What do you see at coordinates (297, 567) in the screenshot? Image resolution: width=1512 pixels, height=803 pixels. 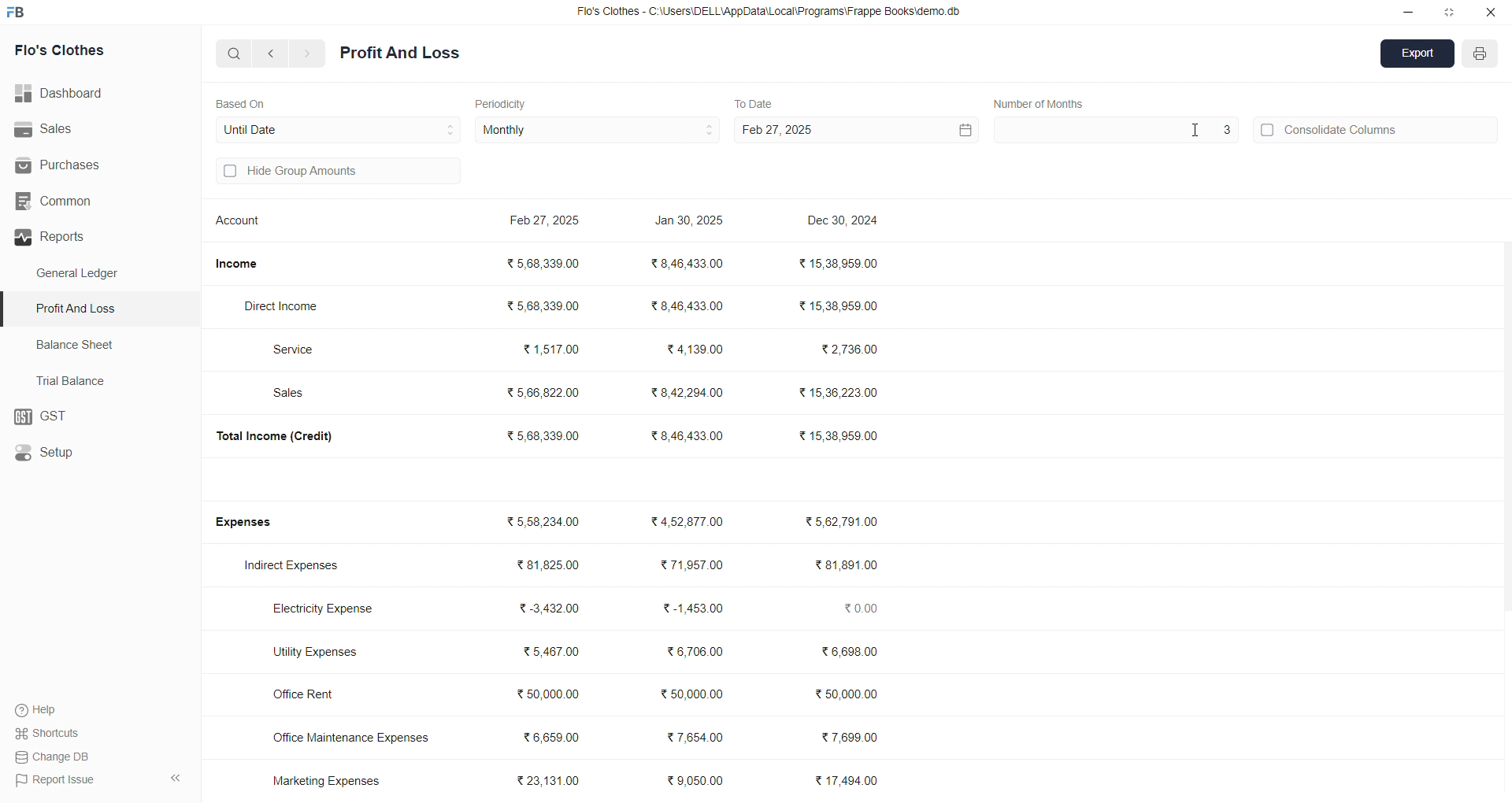 I see `Indirect Expenses` at bounding box center [297, 567].